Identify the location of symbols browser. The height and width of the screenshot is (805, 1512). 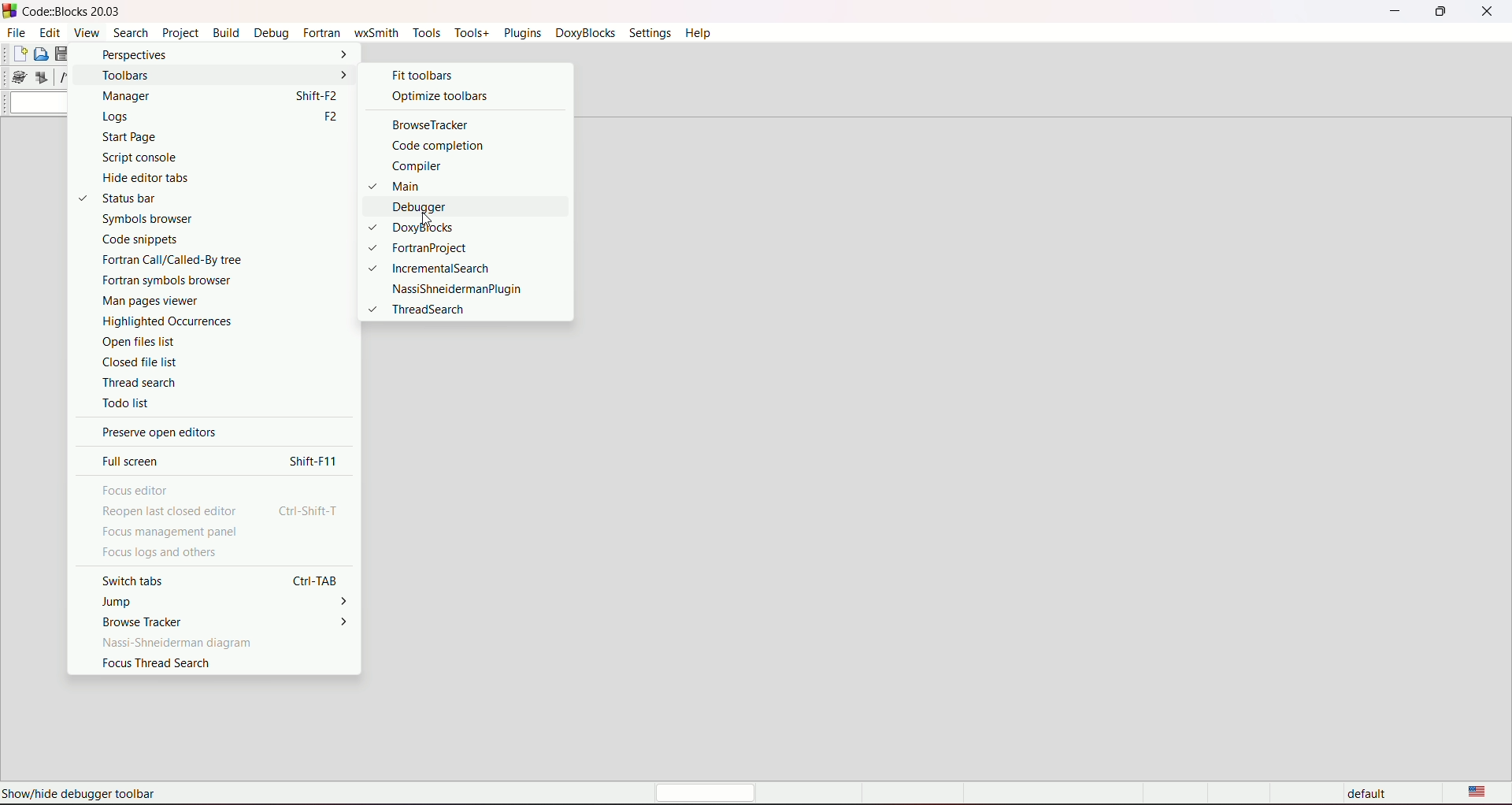
(200, 219).